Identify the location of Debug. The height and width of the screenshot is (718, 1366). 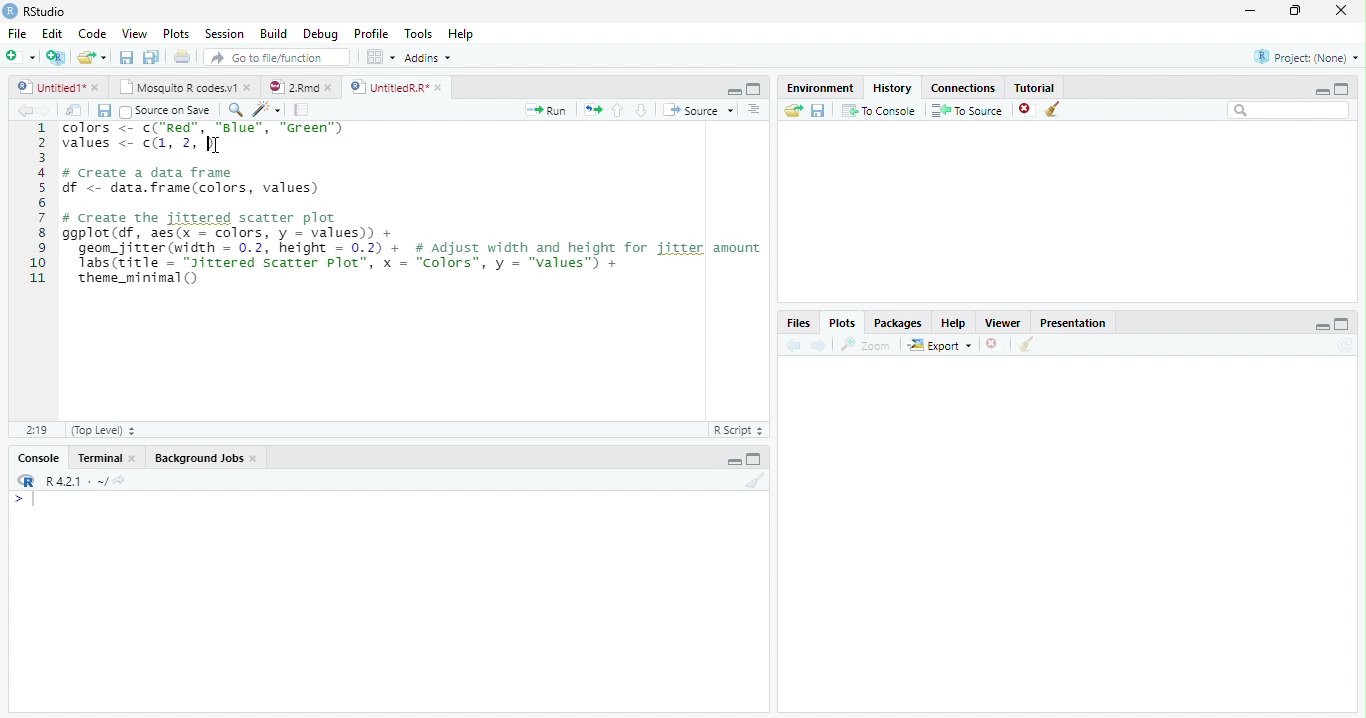
(320, 34).